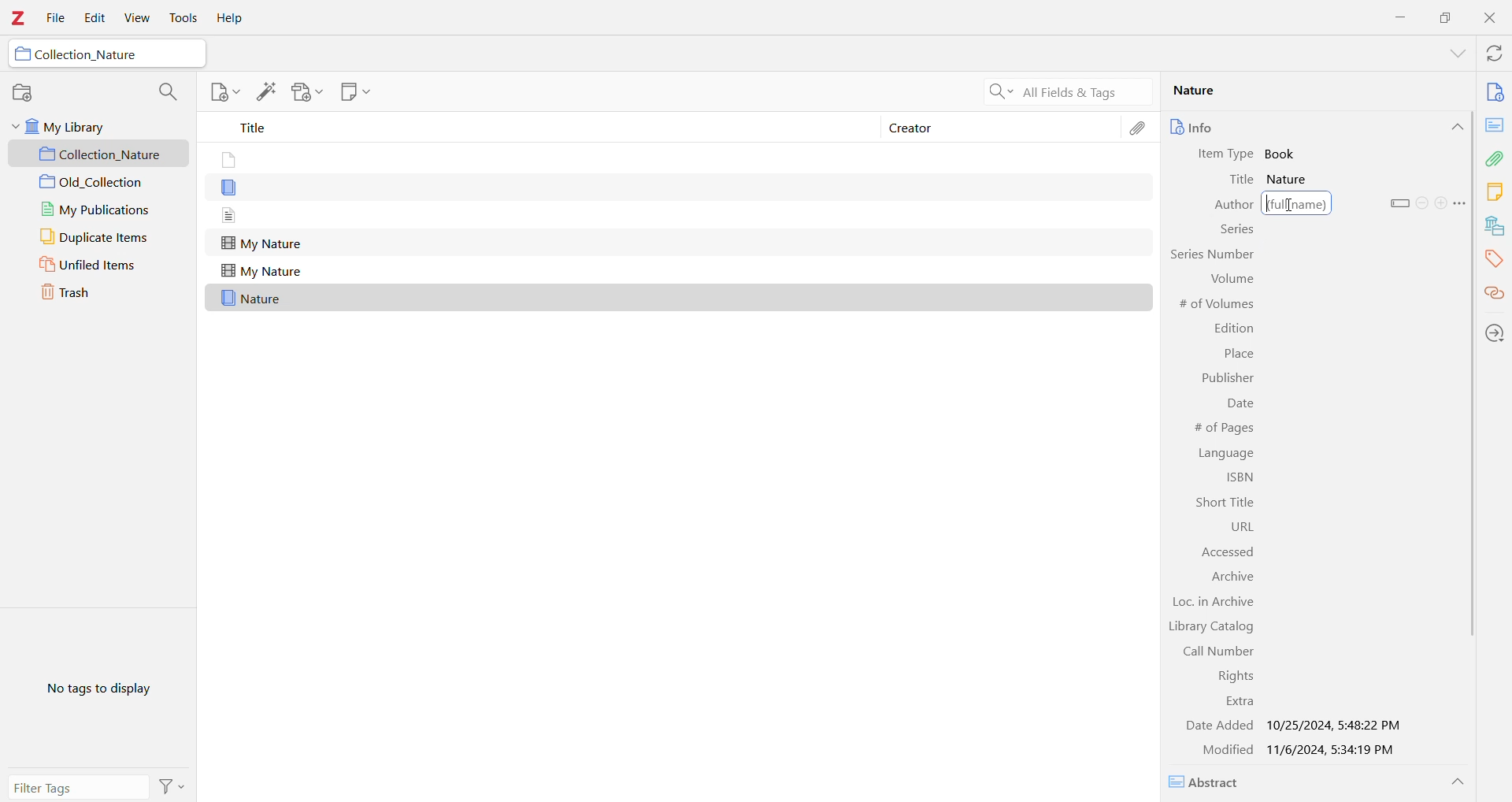  Describe the element at coordinates (1495, 54) in the screenshot. I see `Sync with zotero.org` at that location.